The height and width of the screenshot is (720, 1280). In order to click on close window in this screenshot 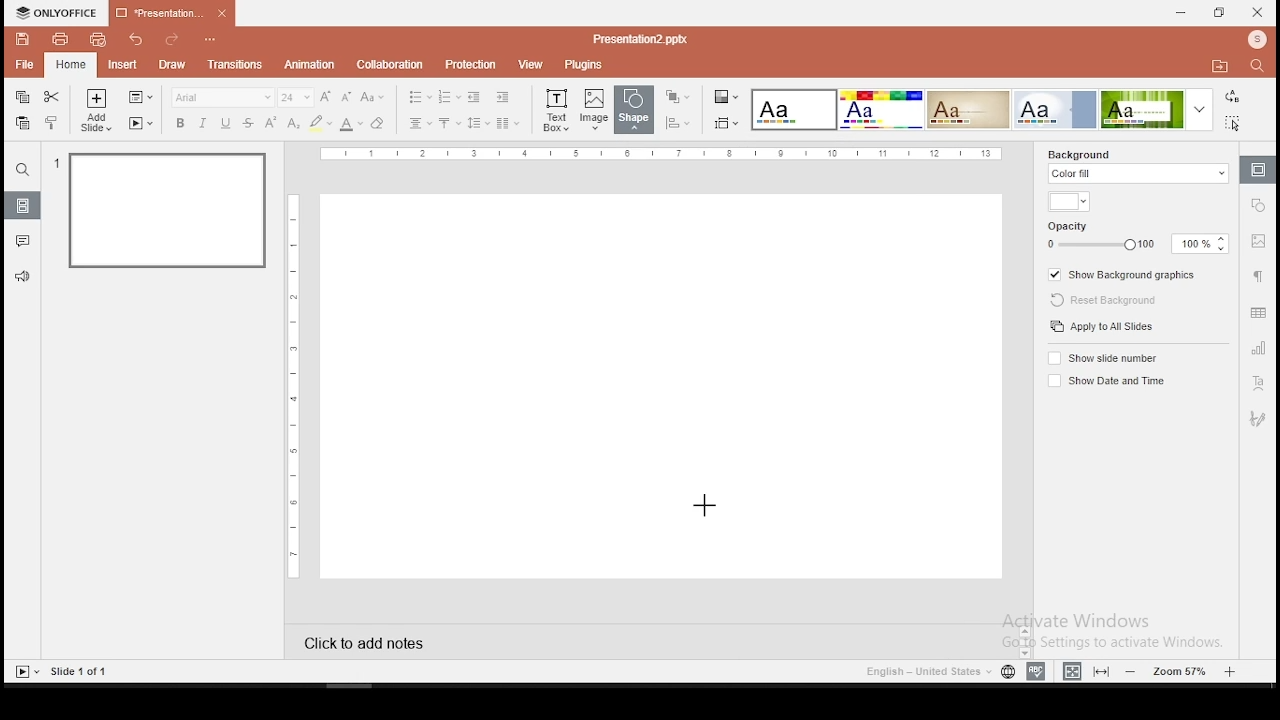, I will do `click(1258, 12)`.